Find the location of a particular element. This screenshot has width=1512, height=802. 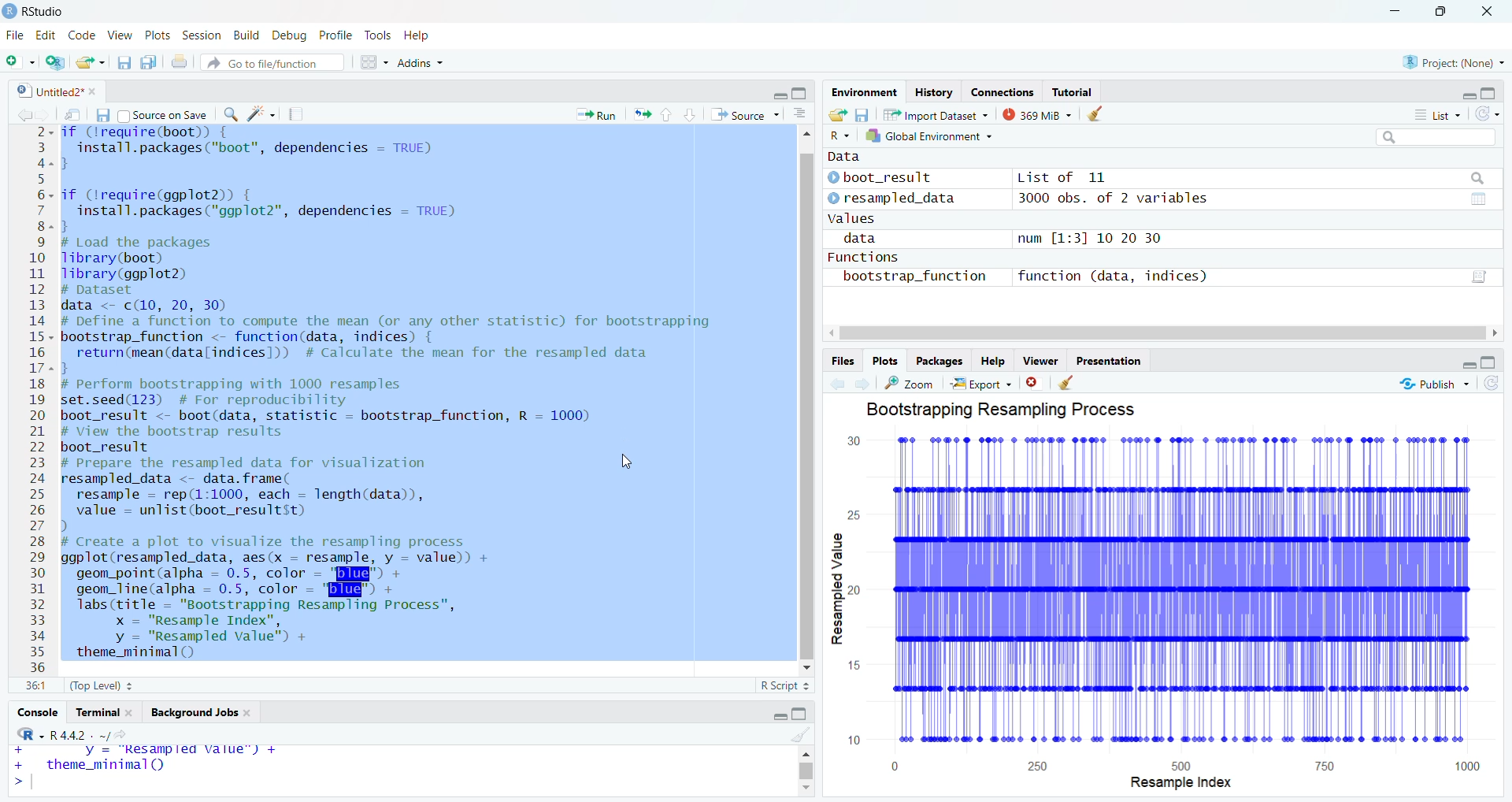

Tutorial is located at coordinates (1077, 94).